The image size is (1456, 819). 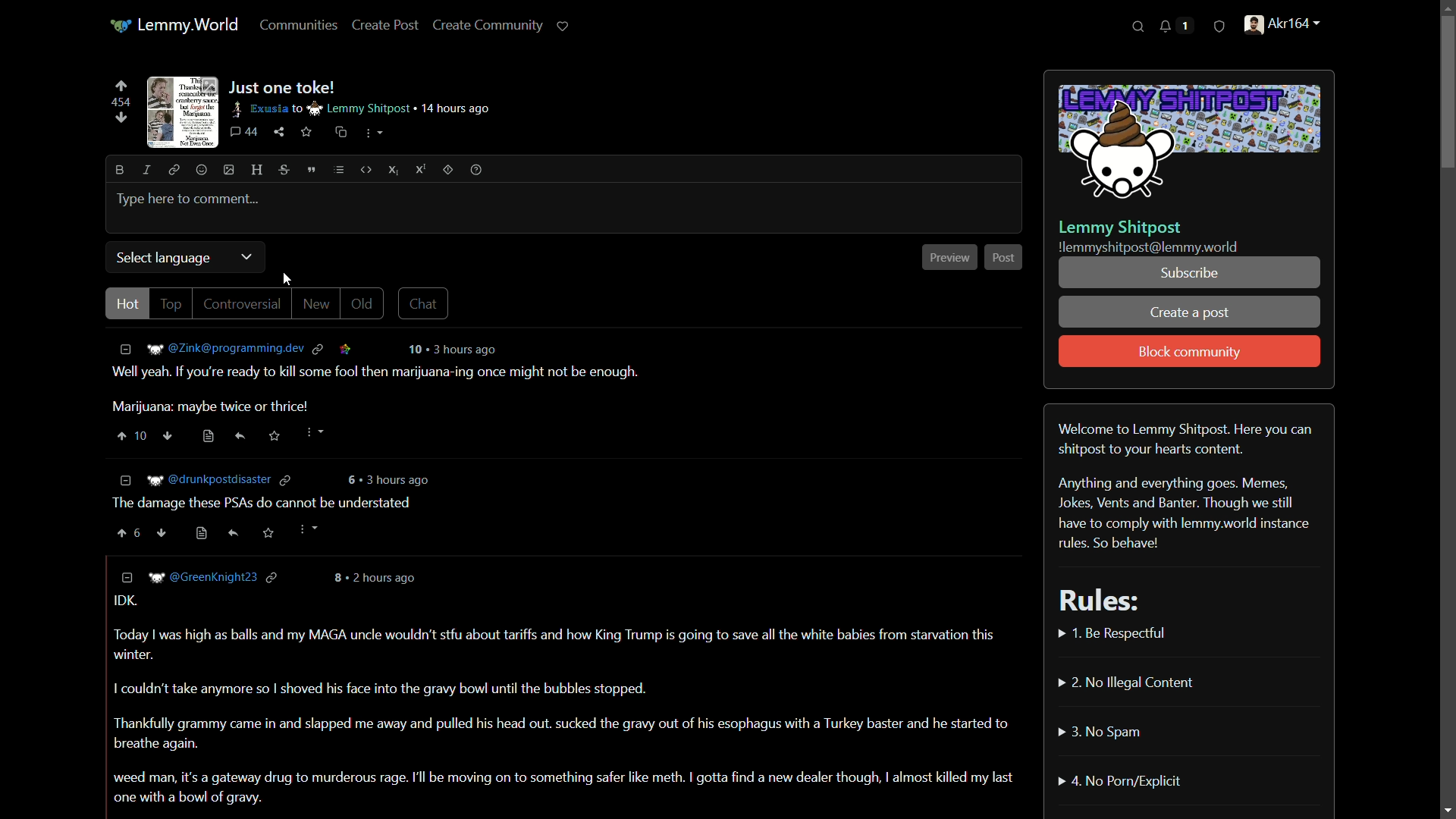 What do you see at coordinates (121, 119) in the screenshot?
I see `downvotes` at bounding box center [121, 119].